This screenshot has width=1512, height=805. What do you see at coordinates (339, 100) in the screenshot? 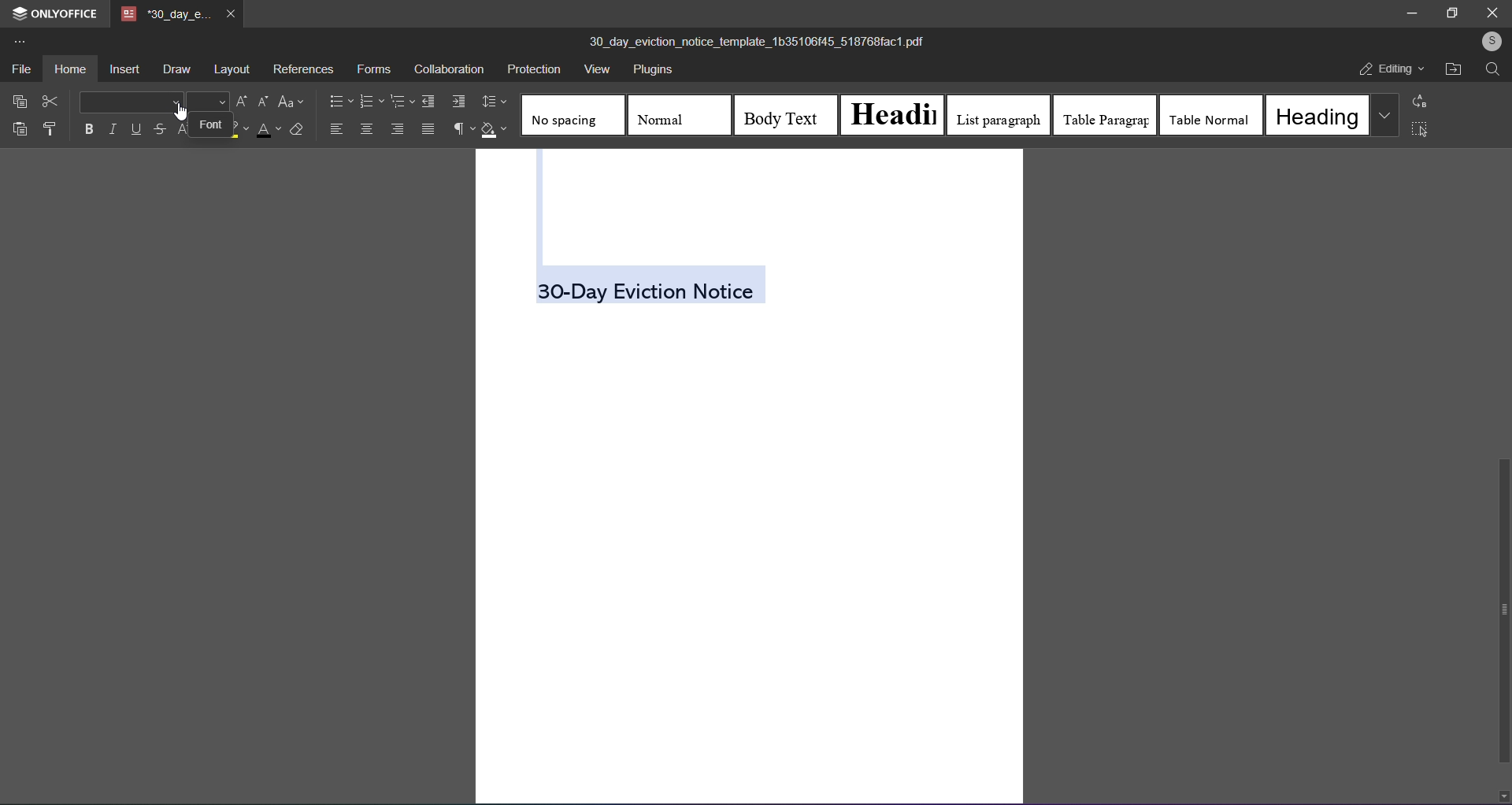
I see `bullets` at bounding box center [339, 100].